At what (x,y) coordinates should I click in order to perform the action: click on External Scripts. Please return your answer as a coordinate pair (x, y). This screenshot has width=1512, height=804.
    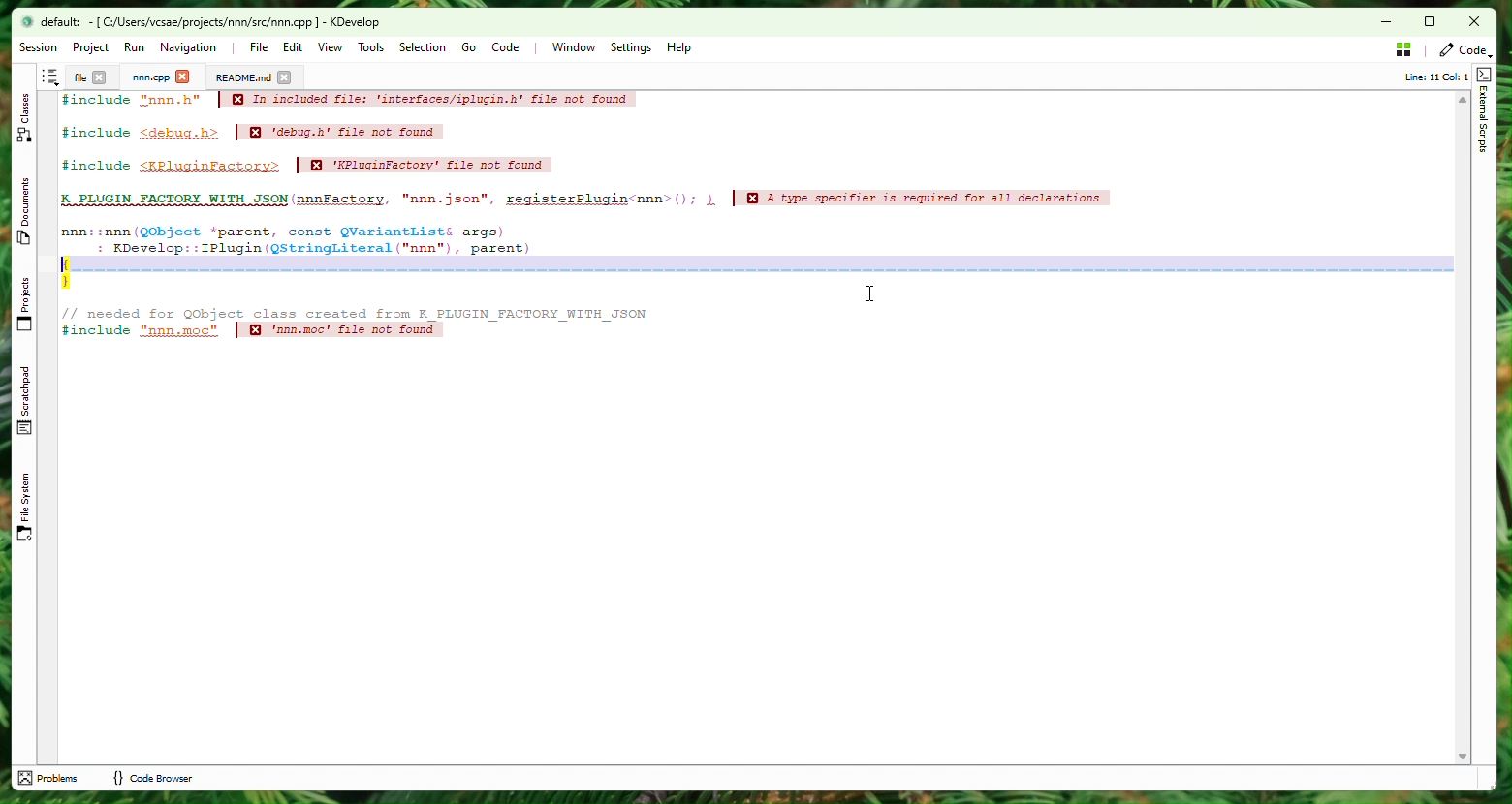
    Looking at the image, I should click on (1484, 113).